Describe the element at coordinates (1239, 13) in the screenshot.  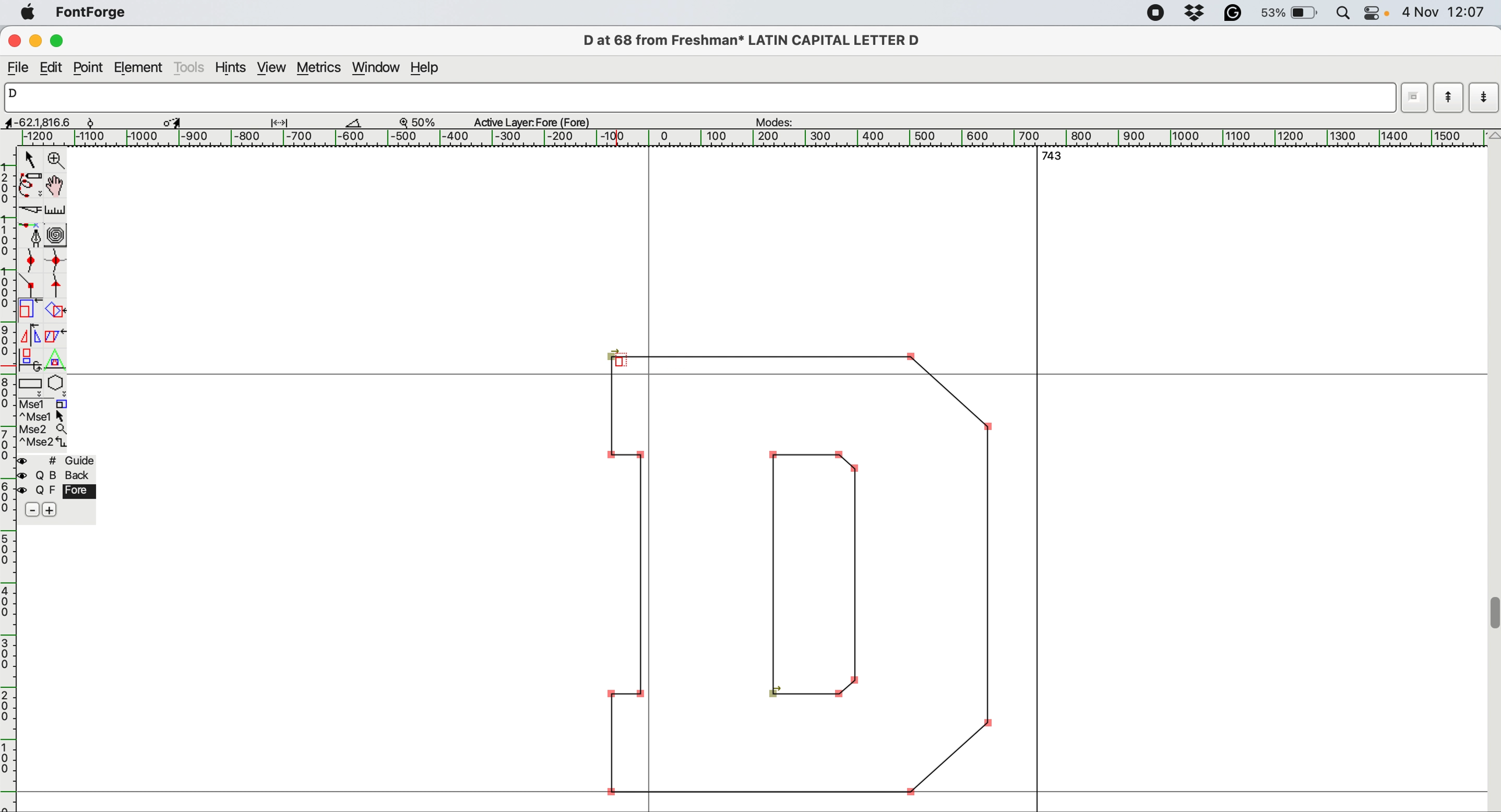
I see `grammarly` at that location.